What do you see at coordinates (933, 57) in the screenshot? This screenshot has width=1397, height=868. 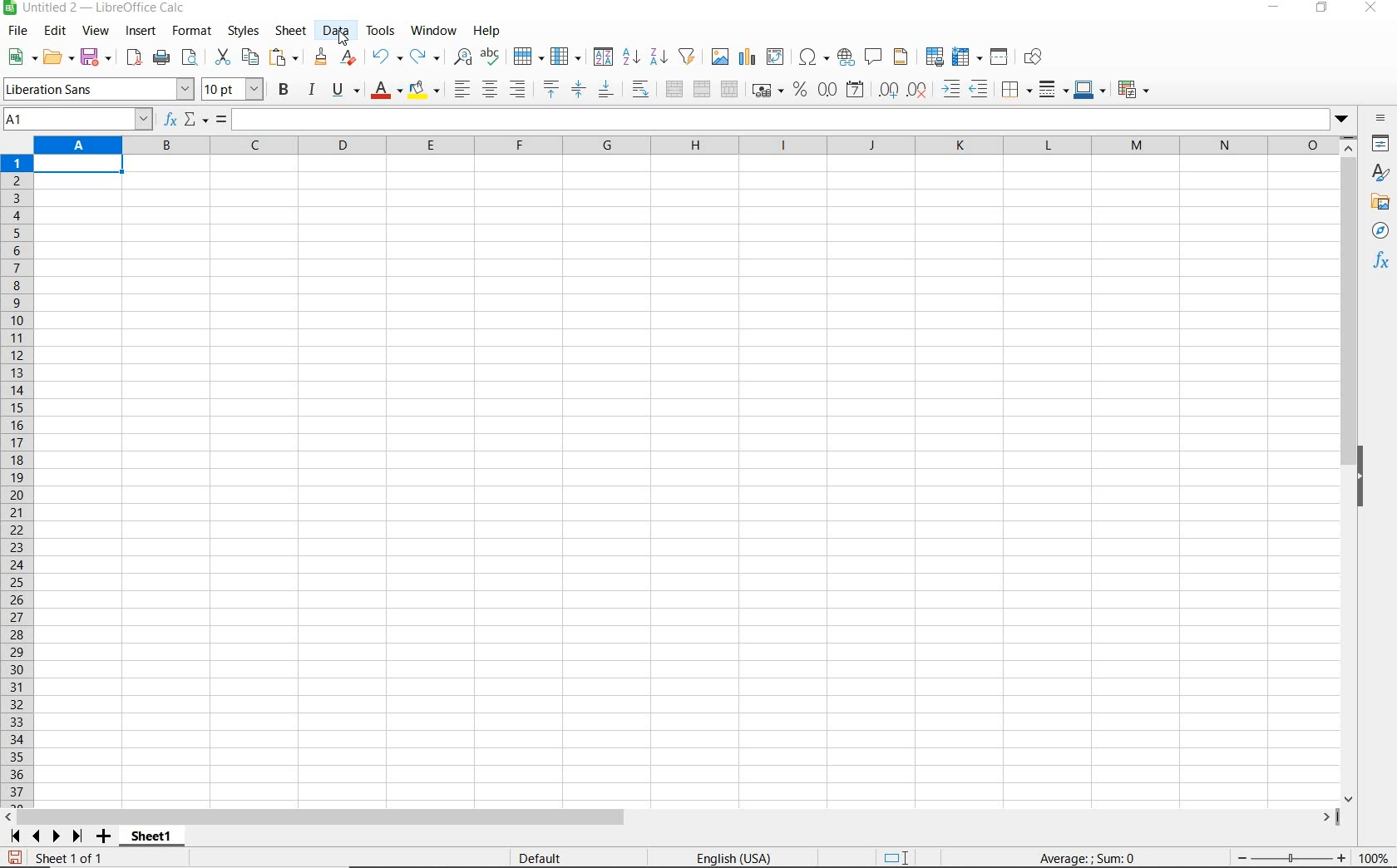 I see `define print area` at bounding box center [933, 57].